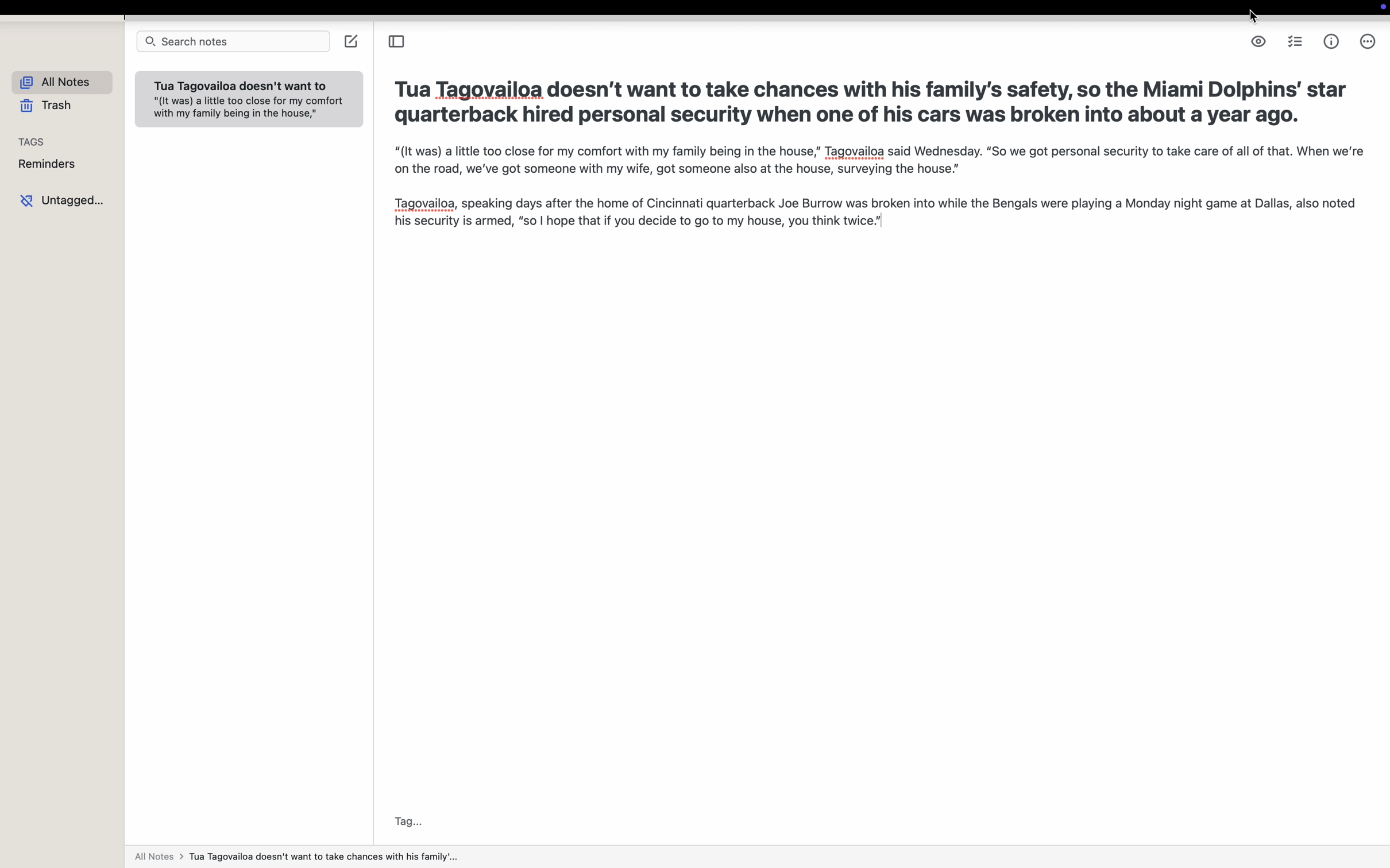 The height and width of the screenshot is (868, 1390). What do you see at coordinates (885, 195) in the screenshot?
I see `“(It was) a little too close for my comfort with my family being in the house,” Tagovailoa said Wednesday. “So we got personal security to take care of all of that. When we'reon the road, we've got someone with my wife, got someone also at the house, surveying the house.”Tagovailoa, speaking days after the home of Cincinnati quarterback Joe Burrow was broken into while the Bengals were playing a Monday night game at Dallas, also notedhis security is armed, “so | hope that if you decide to go to my house, you think twice] ` at bounding box center [885, 195].